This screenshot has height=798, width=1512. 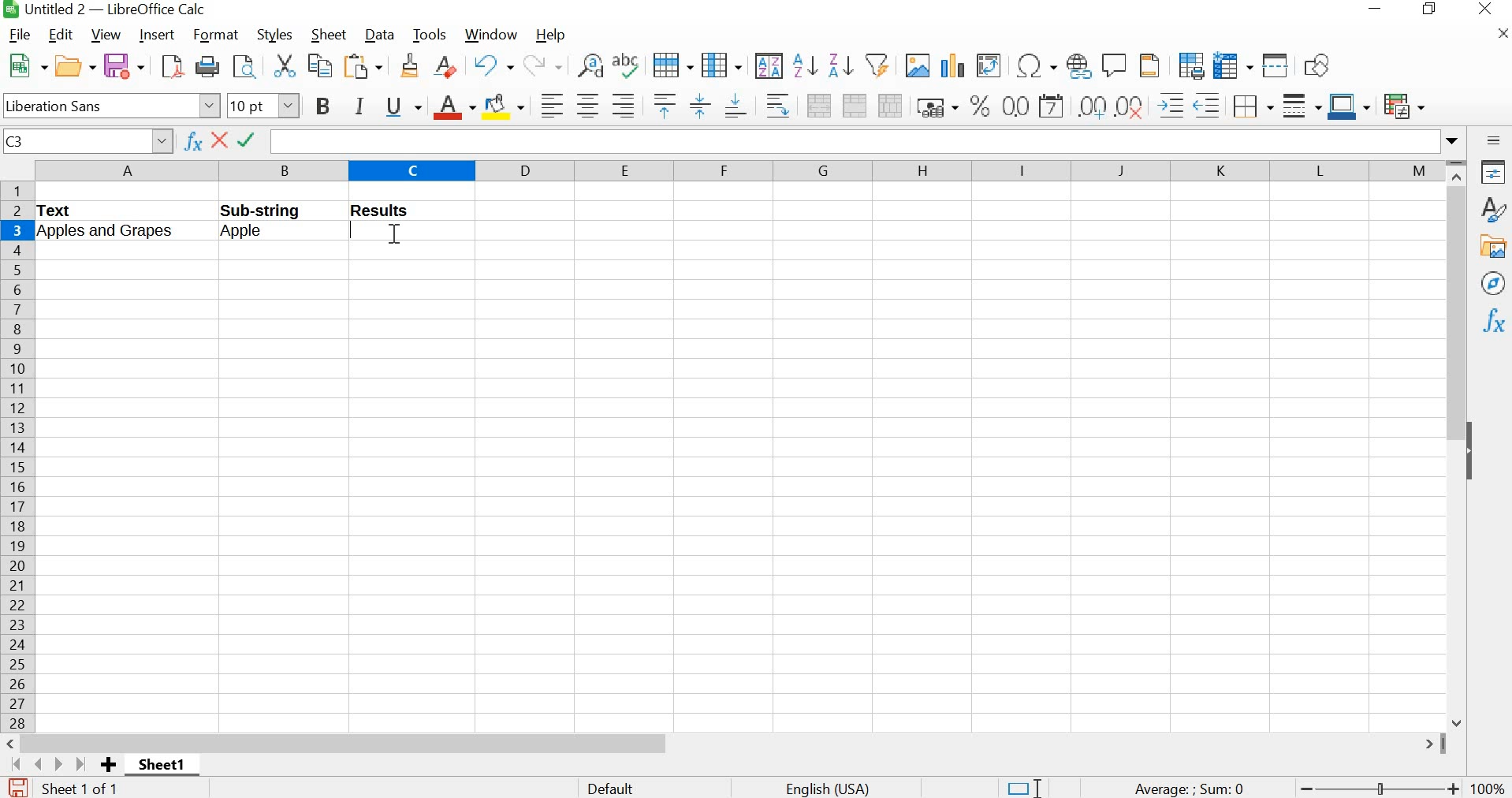 What do you see at coordinates (222, 140) in the screenshot?
I see `cancel formula` at bounding box center [222, 140].